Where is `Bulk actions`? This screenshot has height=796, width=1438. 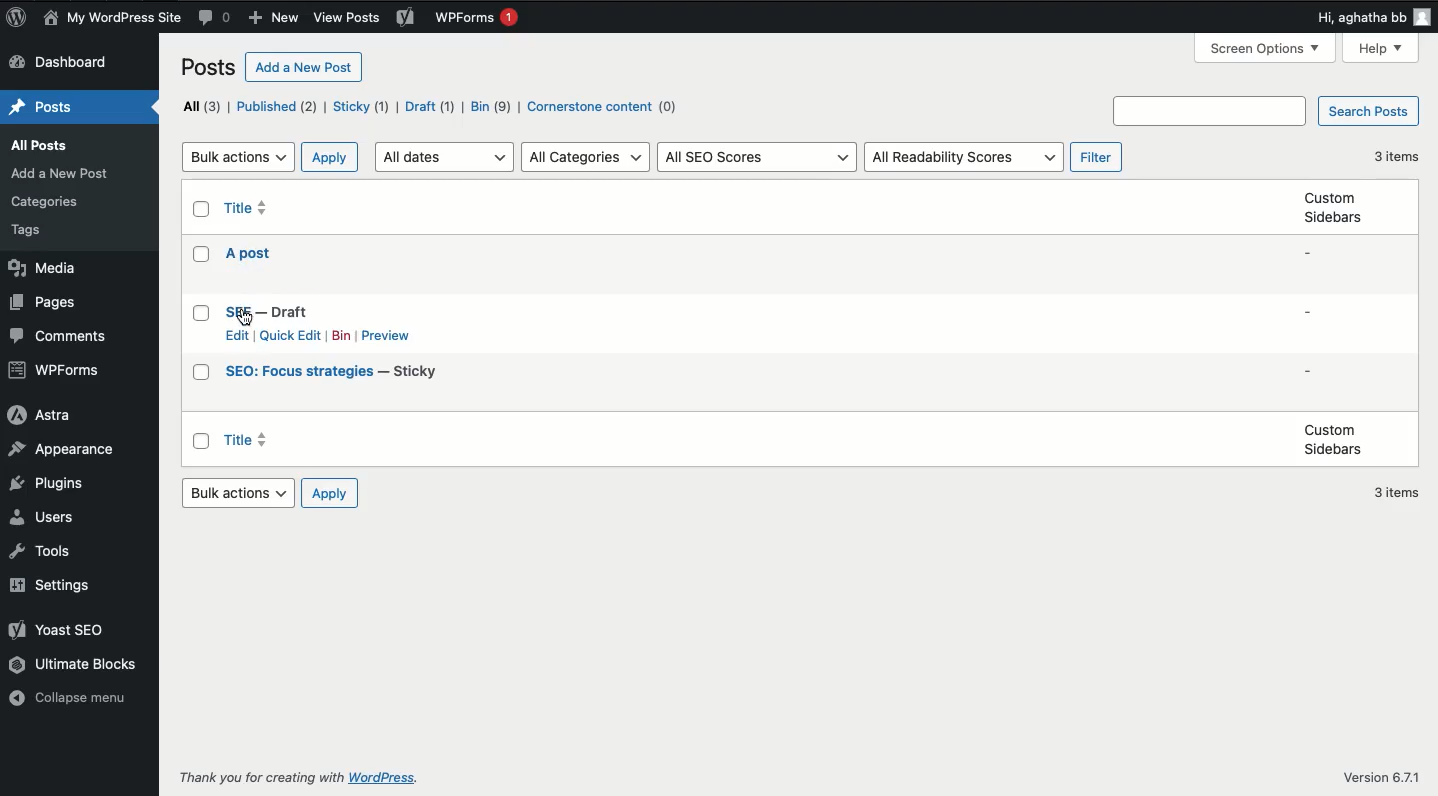 Bulk actions is located at coordinates (238, 156).